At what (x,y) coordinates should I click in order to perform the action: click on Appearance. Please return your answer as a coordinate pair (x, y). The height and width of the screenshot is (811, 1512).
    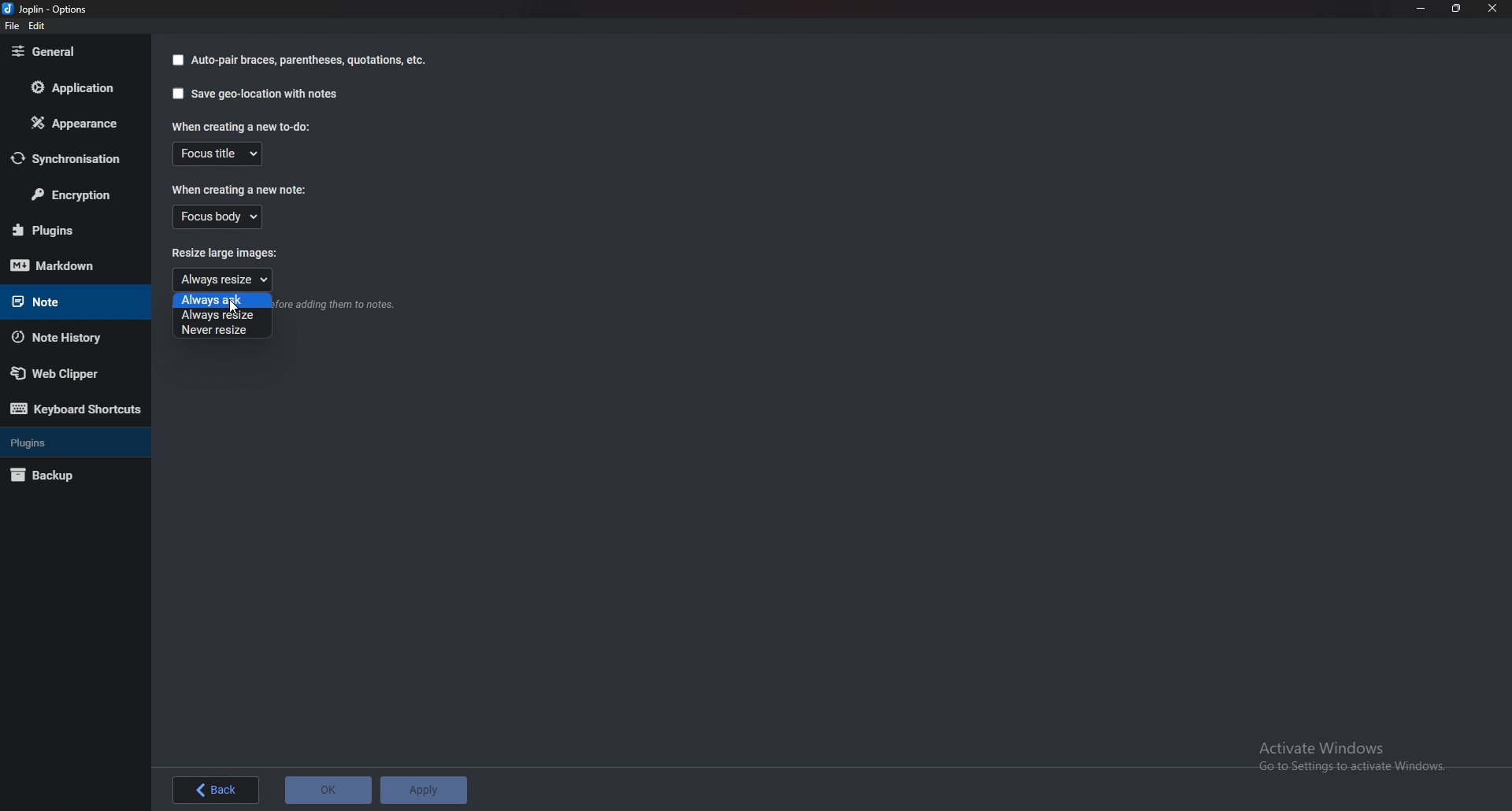
    Looking at the image, I should click on (75, 122).